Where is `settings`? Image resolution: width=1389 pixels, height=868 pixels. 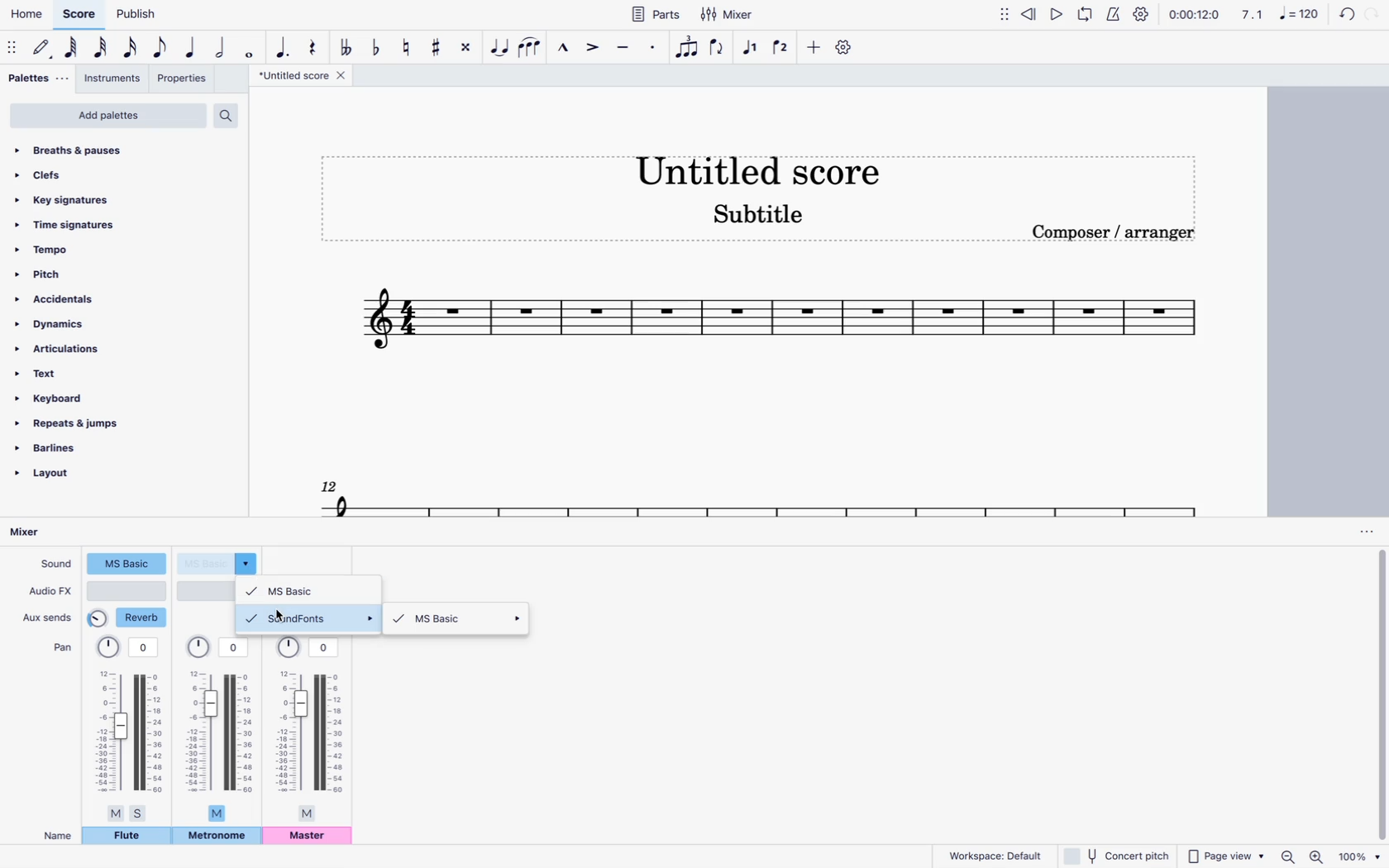
settings is located at coordinates (845, 48).